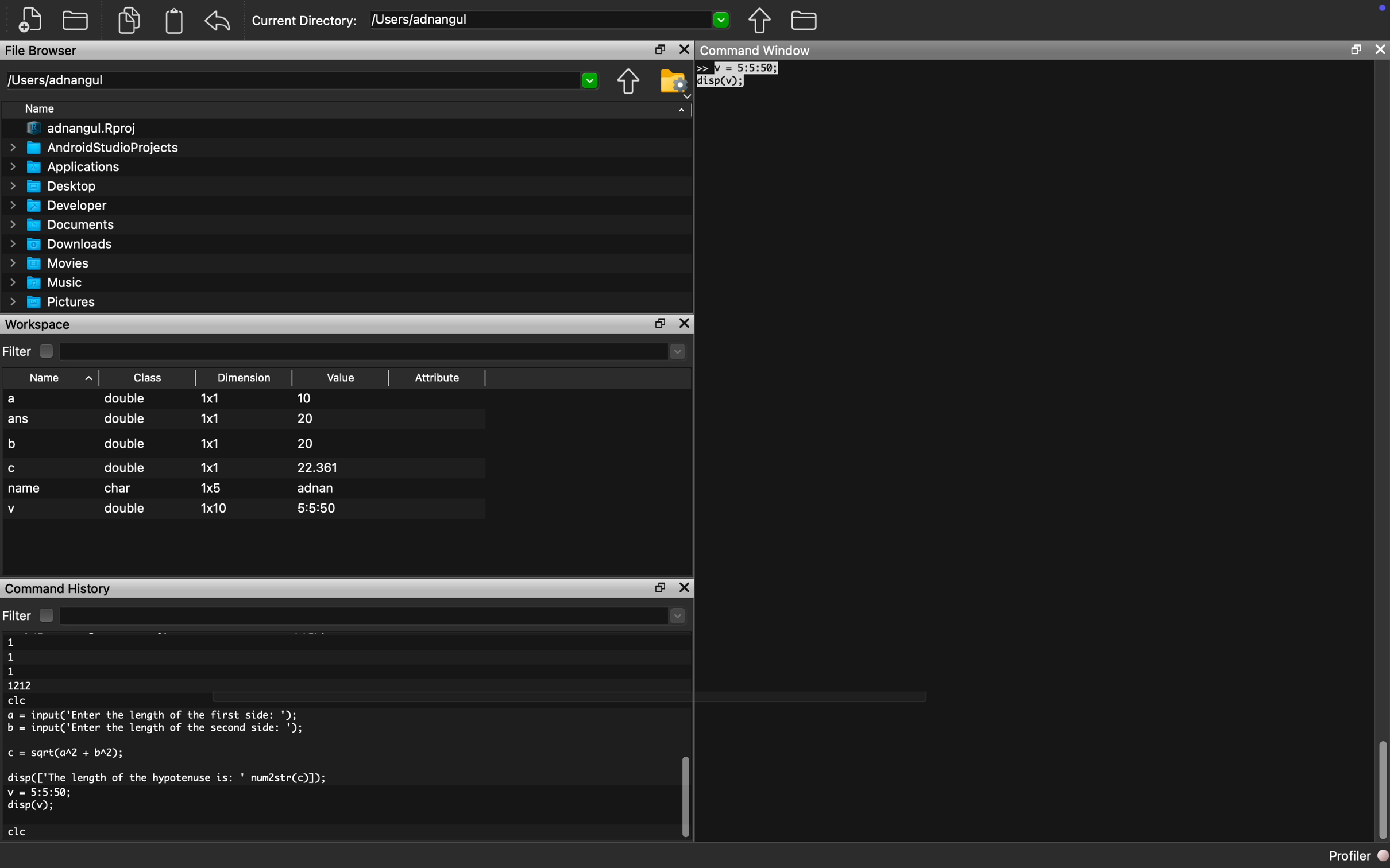  What do you see at coordinates (318, 509) in the screenshot?
I see `5:5:50` at bounding box center [318, 509].